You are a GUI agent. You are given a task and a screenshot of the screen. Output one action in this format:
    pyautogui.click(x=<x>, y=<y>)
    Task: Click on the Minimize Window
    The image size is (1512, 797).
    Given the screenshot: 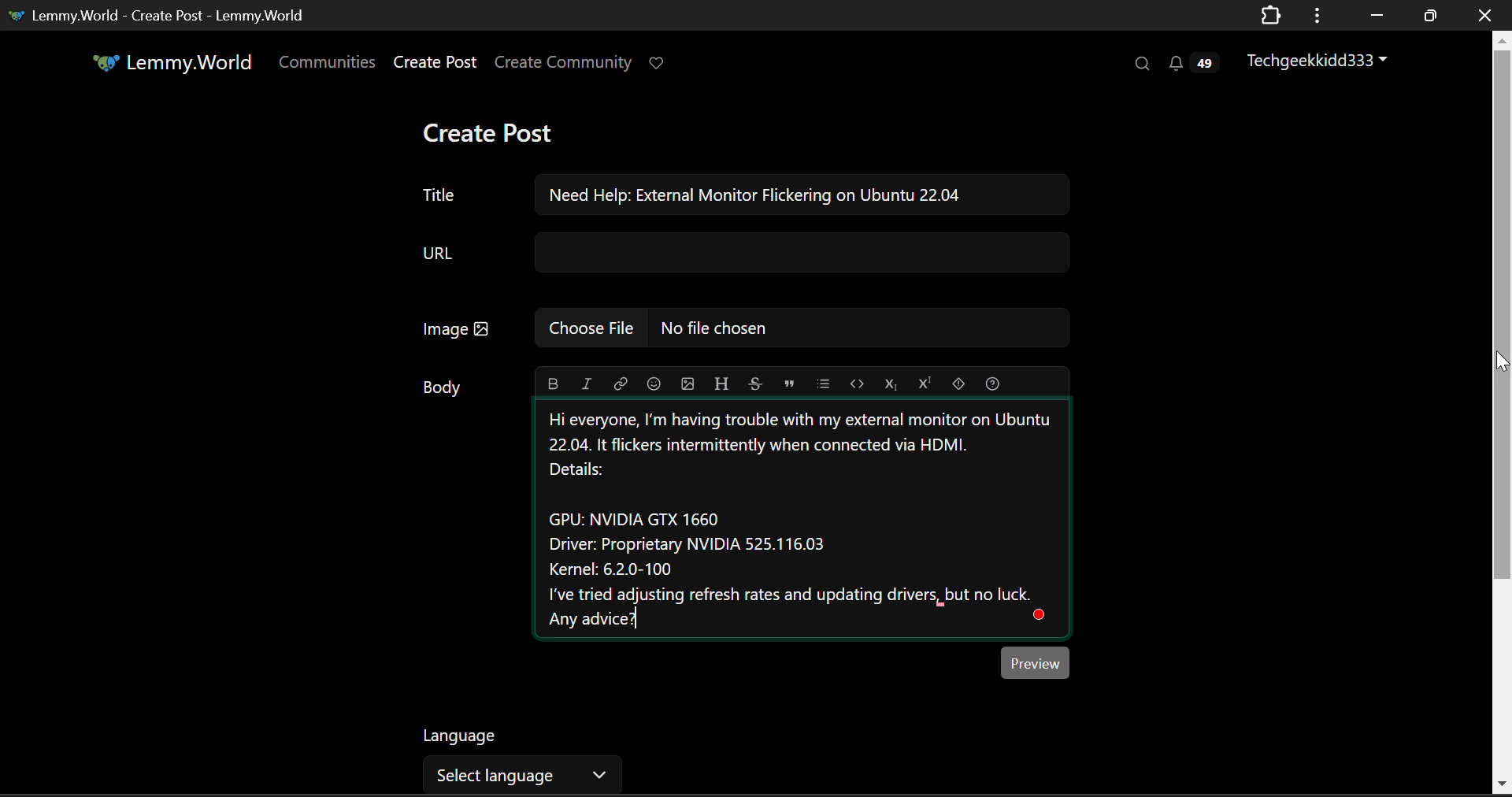 What is the action you would take?
    pyautogui.click(x=1428, y=17)
    